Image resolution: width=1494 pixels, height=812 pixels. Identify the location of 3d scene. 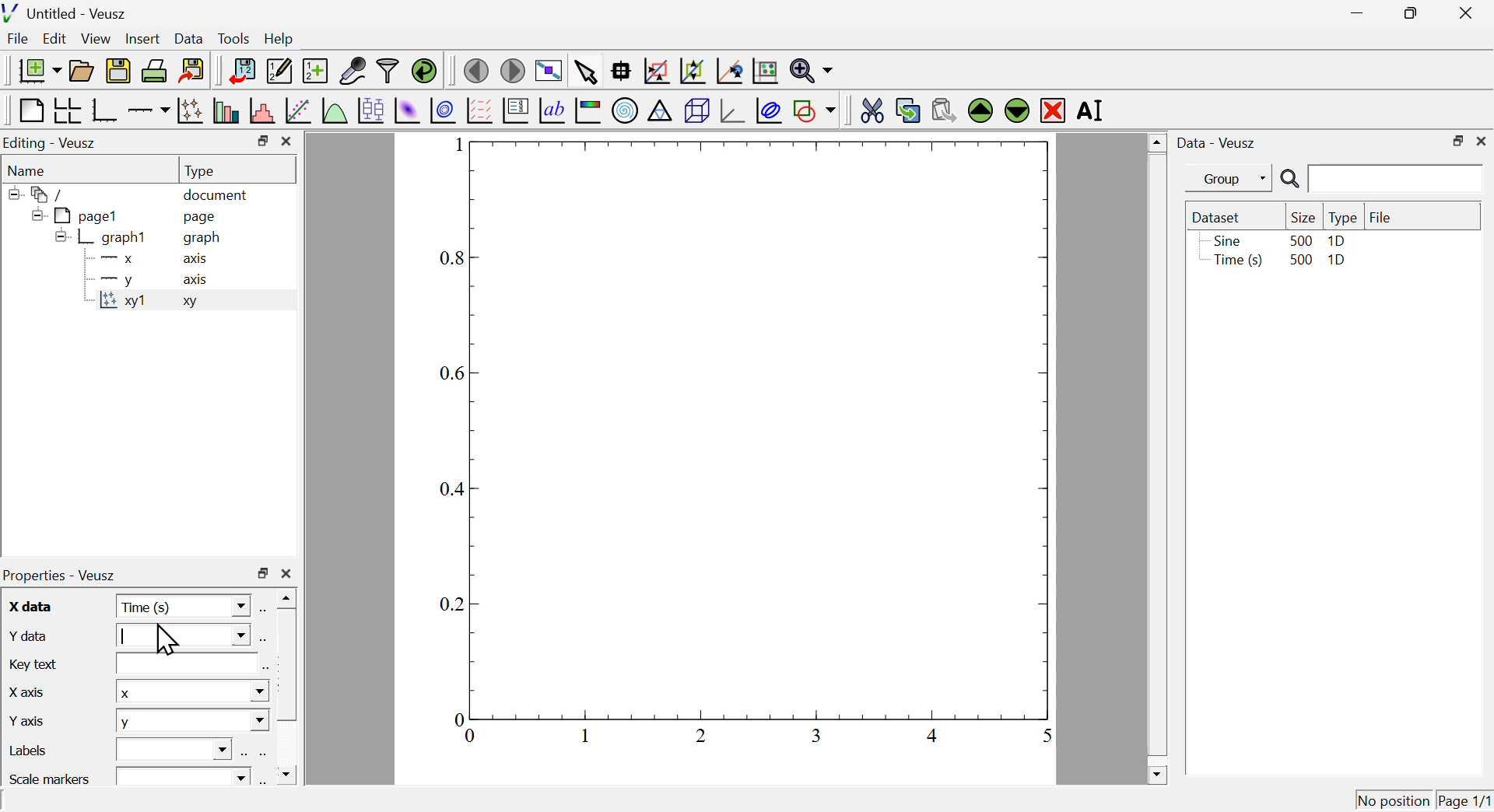
(697, 112).